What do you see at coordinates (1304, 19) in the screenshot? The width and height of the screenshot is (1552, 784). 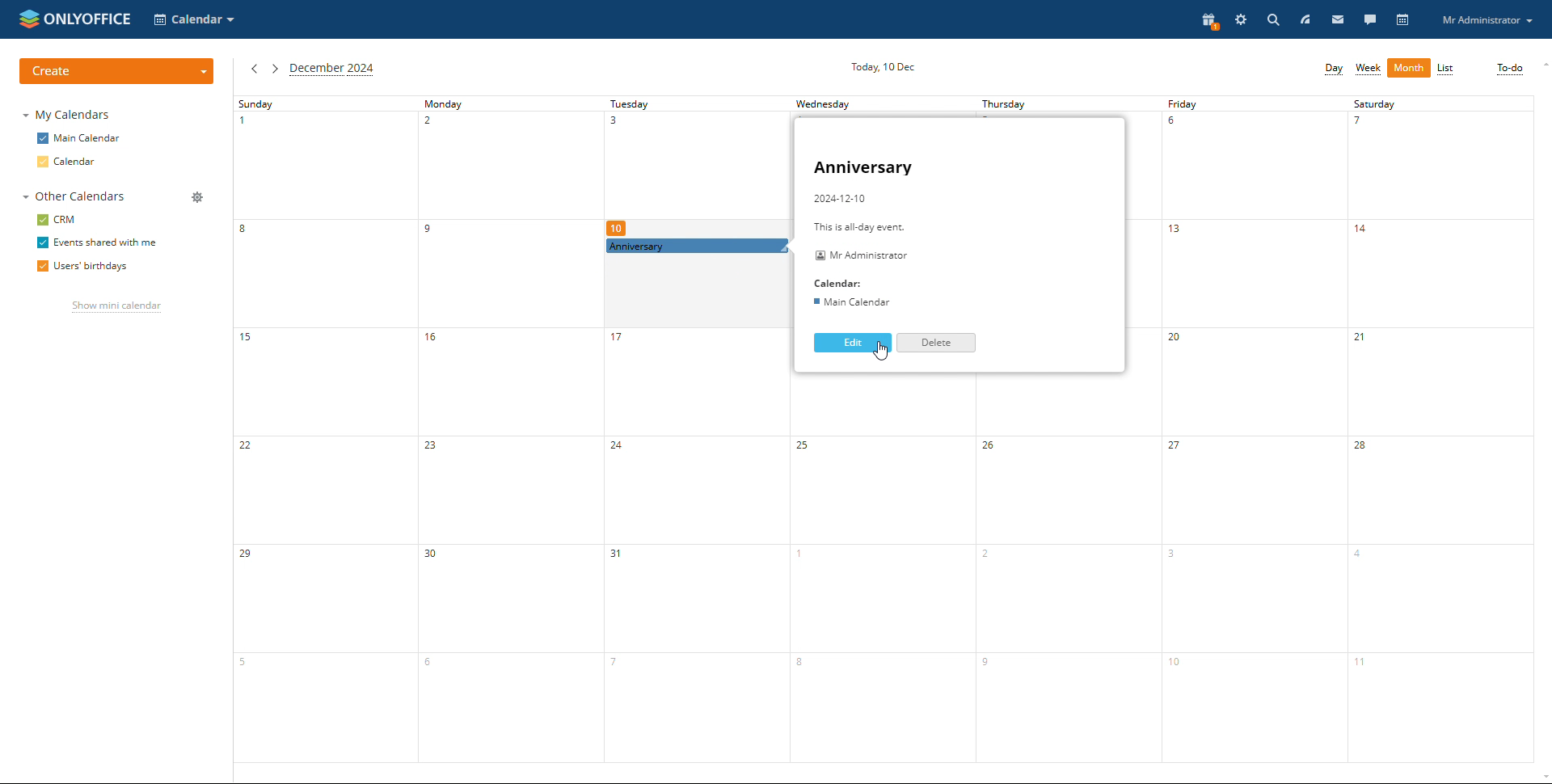 I see `feed` at bounding box center [1304, 19].